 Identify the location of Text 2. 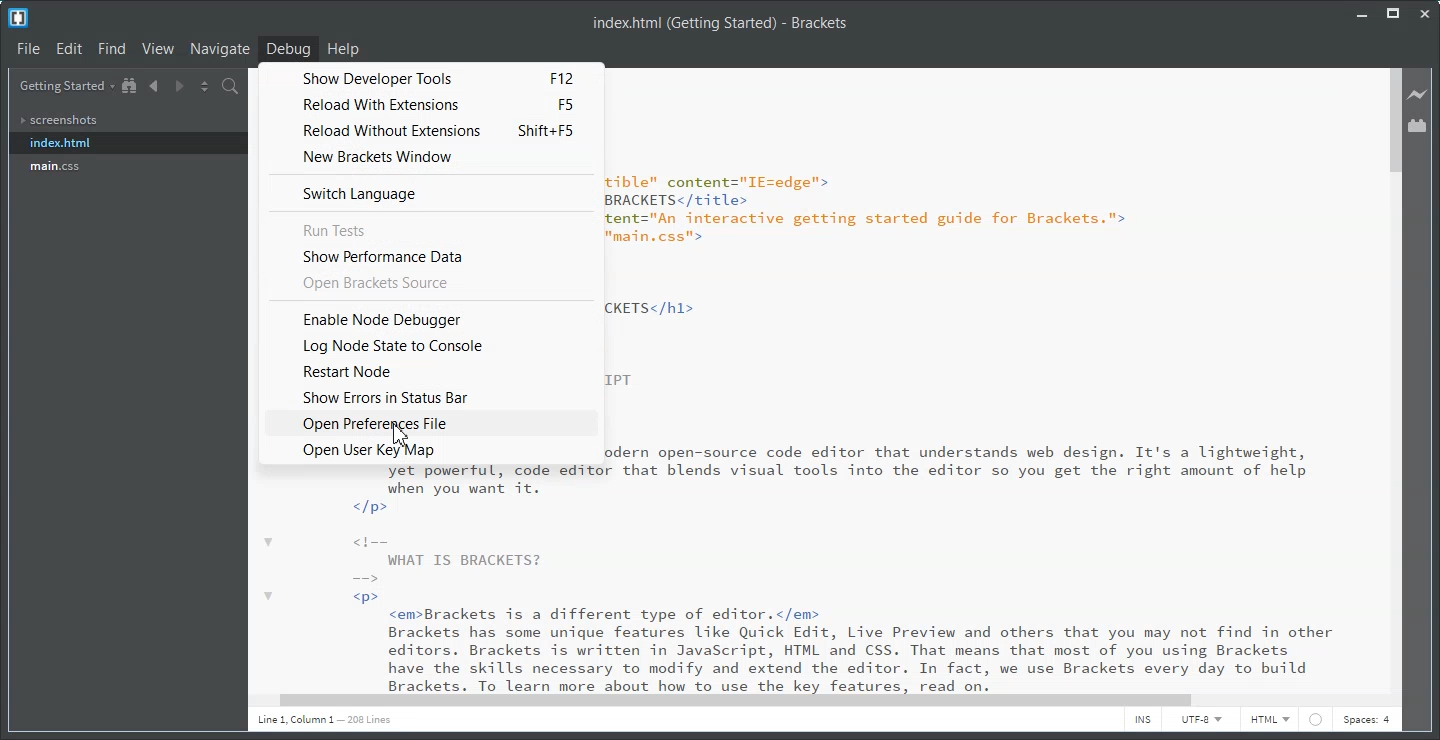
(790, 579).